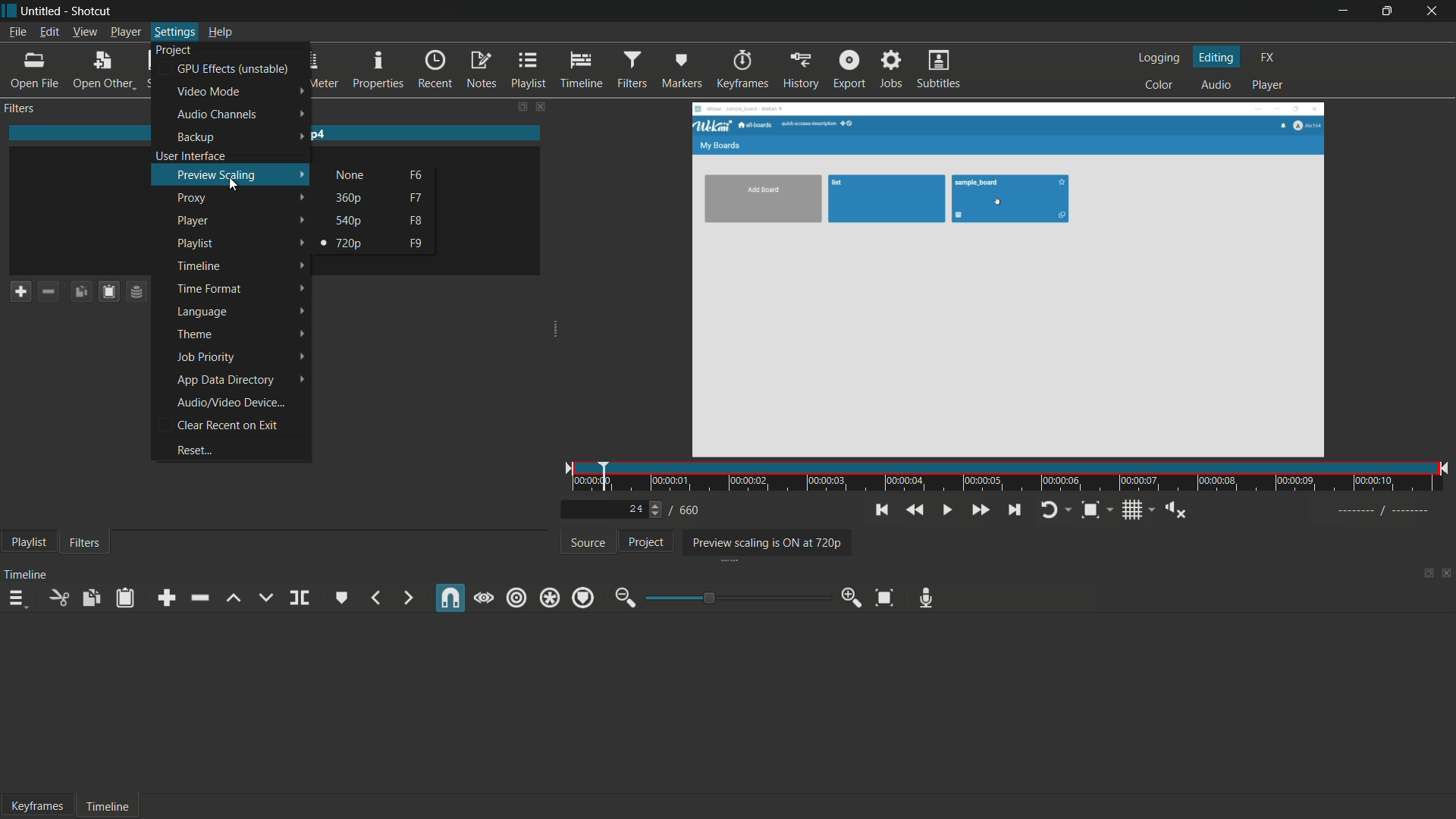 The height and width of the screenshot is (819, 1456). Describe the element at coordinates (43, 11) in the screenshot. I see `project name` at that location.